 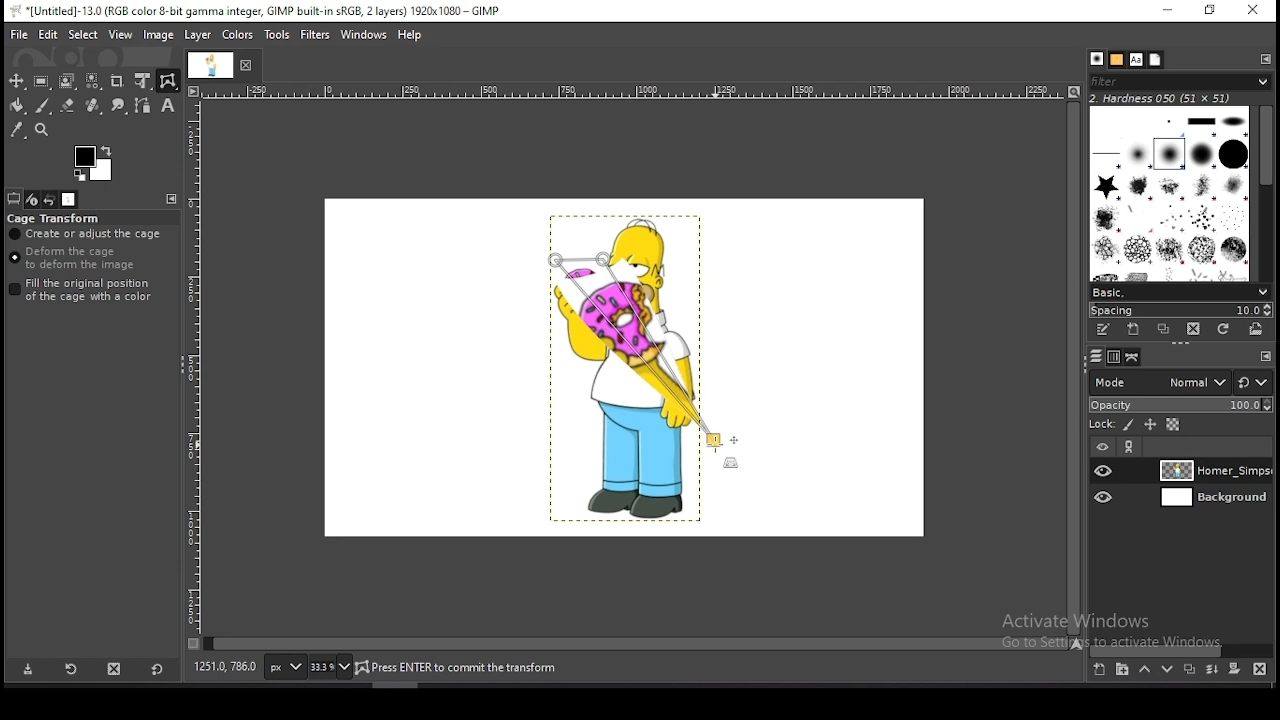 What do you see at coordinates (1155, 381) in the screenshot?
I see `blend mode` at bounding box center [1155, 381].